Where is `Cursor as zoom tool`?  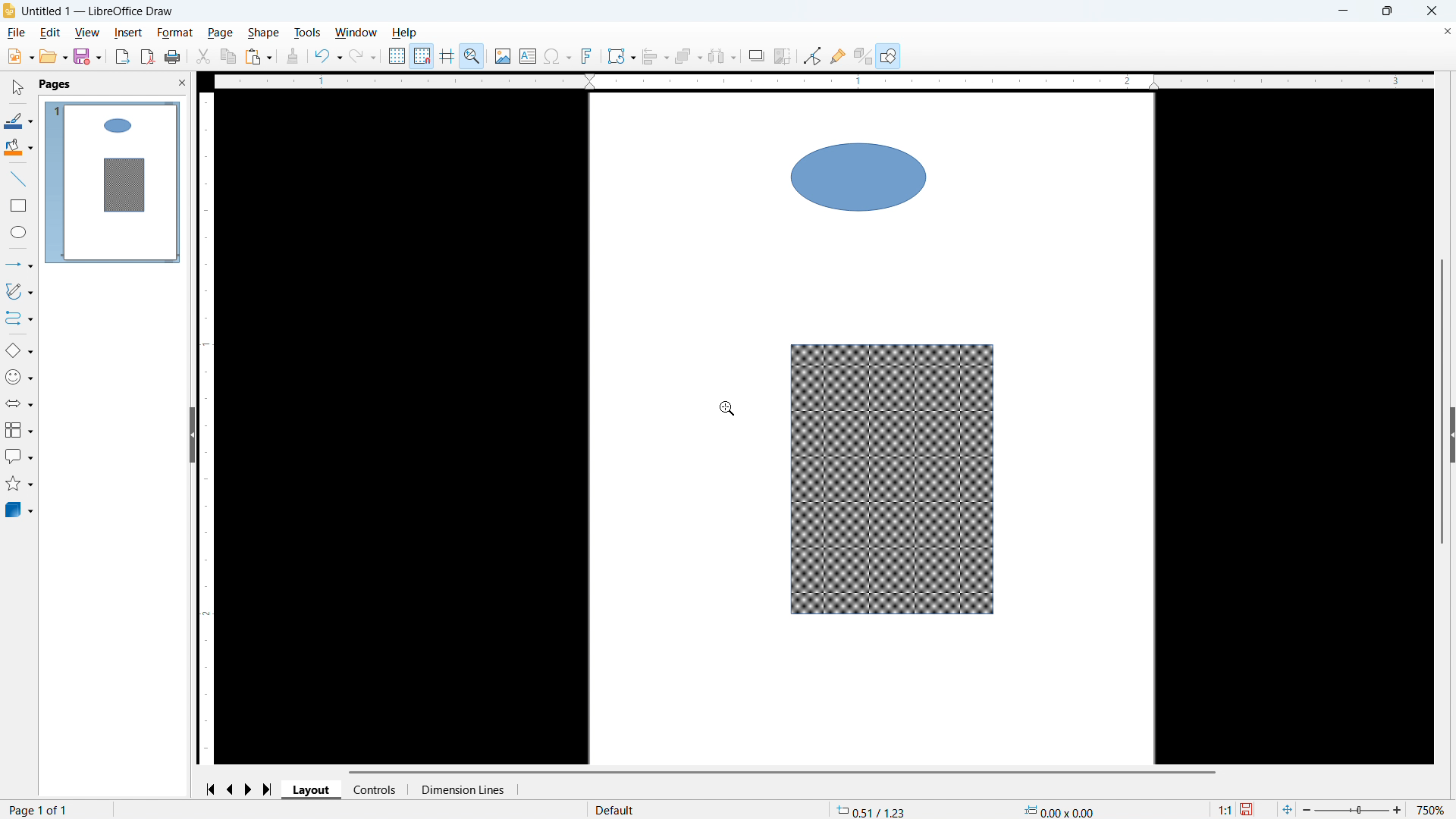 Cursor as zoom tool is located at coordinates (728, 407).